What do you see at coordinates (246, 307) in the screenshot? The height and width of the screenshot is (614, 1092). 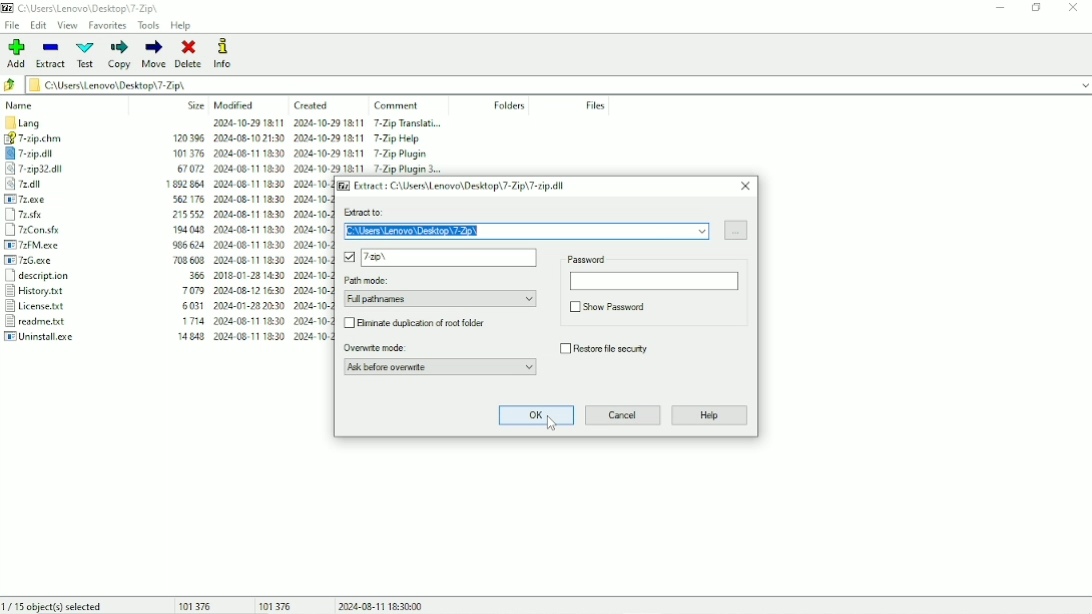 I see `6031 2004-07-2220:30 2004-10-291211 7-Zip License` at bounding box center [246, 307].